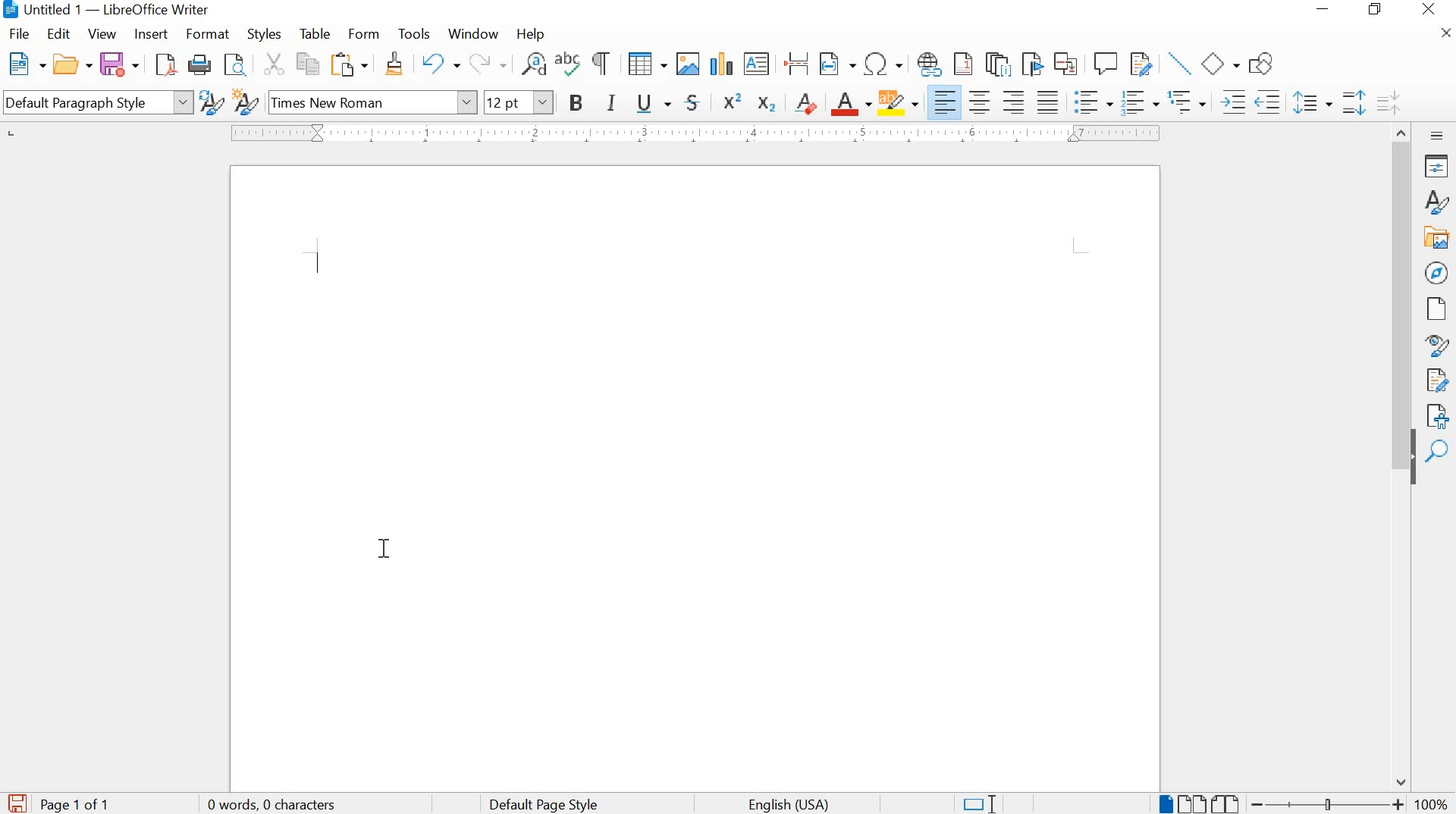 The height and width of the screenshot is (814, 1456). I want to click on MINIMIZE, so click(1326, 11).